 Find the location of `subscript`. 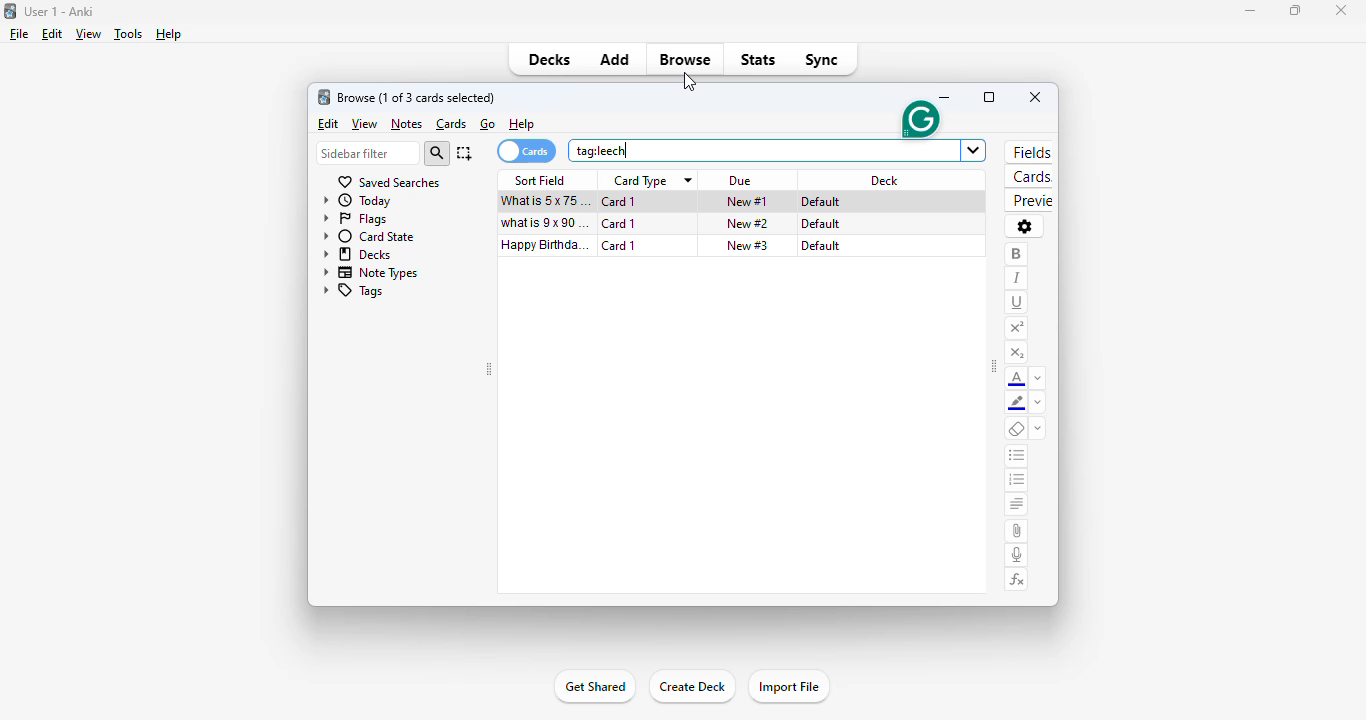

subscript is located at coordinates (1017, 353).